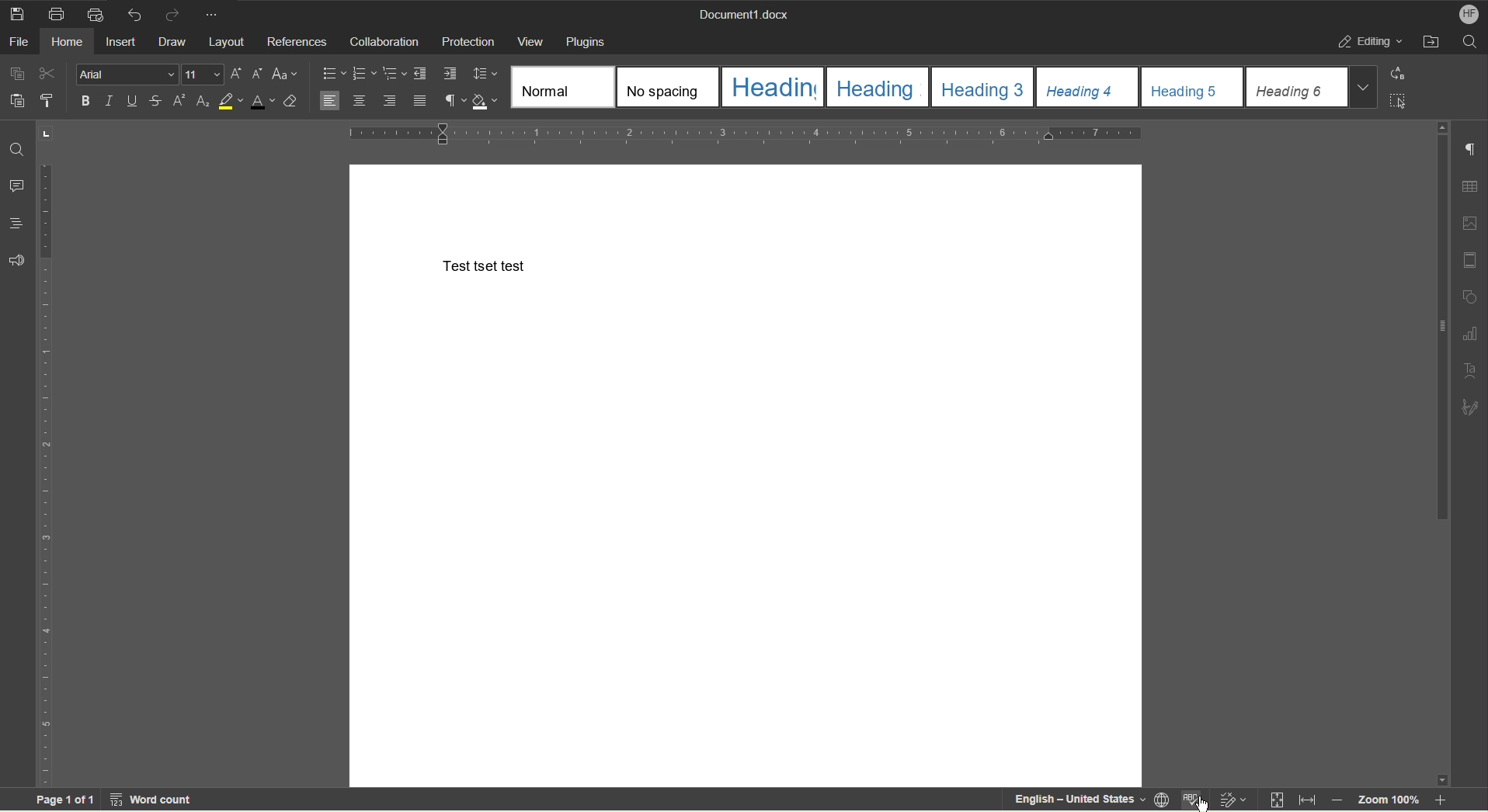 The image size is (1488, 812). What do you see at coordinates (1368, 40) in the screenshot?
I see `Editing` at bounding box center [1368, 40].